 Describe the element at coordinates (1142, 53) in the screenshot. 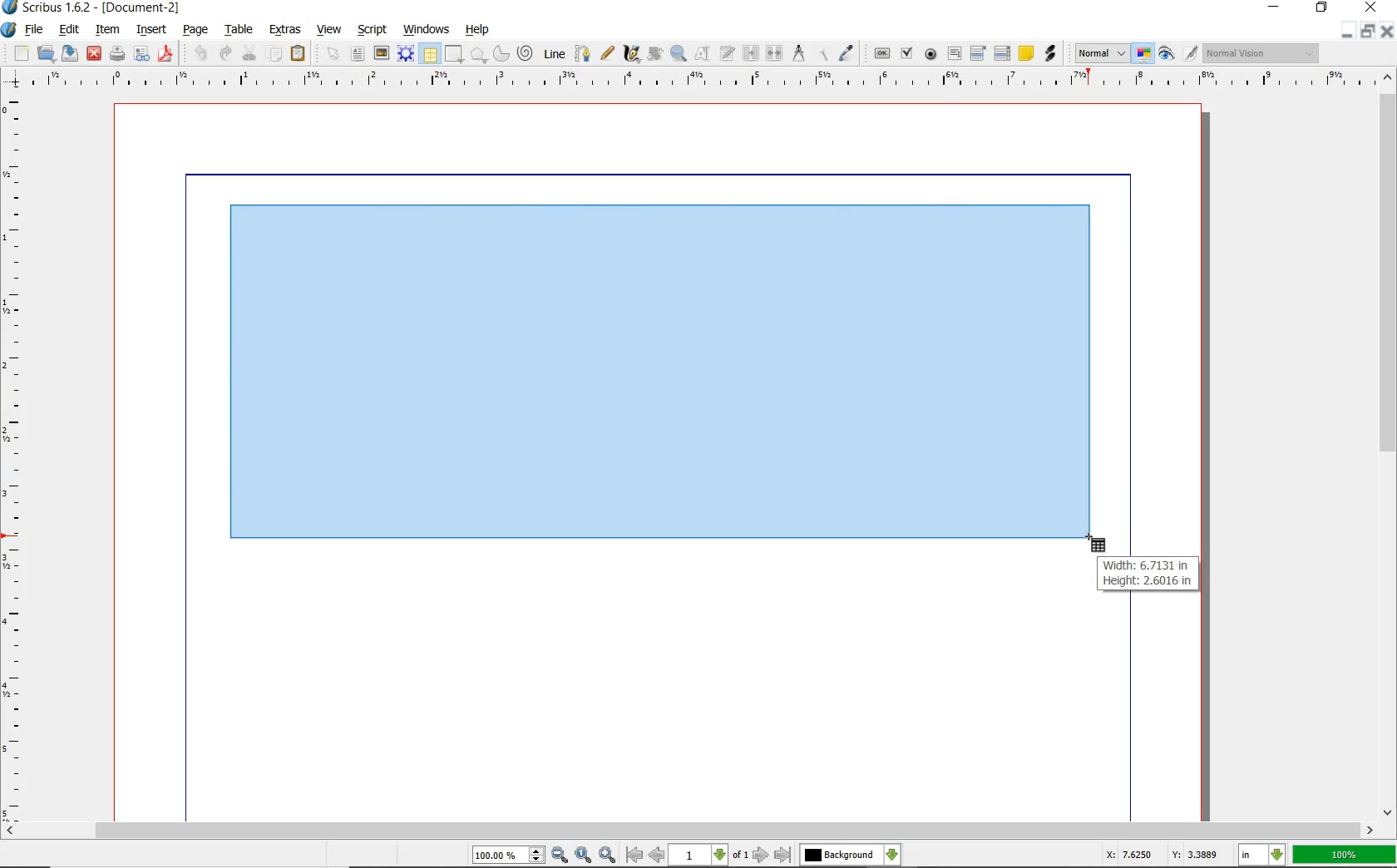

I see `toggle color management mode` at that location.